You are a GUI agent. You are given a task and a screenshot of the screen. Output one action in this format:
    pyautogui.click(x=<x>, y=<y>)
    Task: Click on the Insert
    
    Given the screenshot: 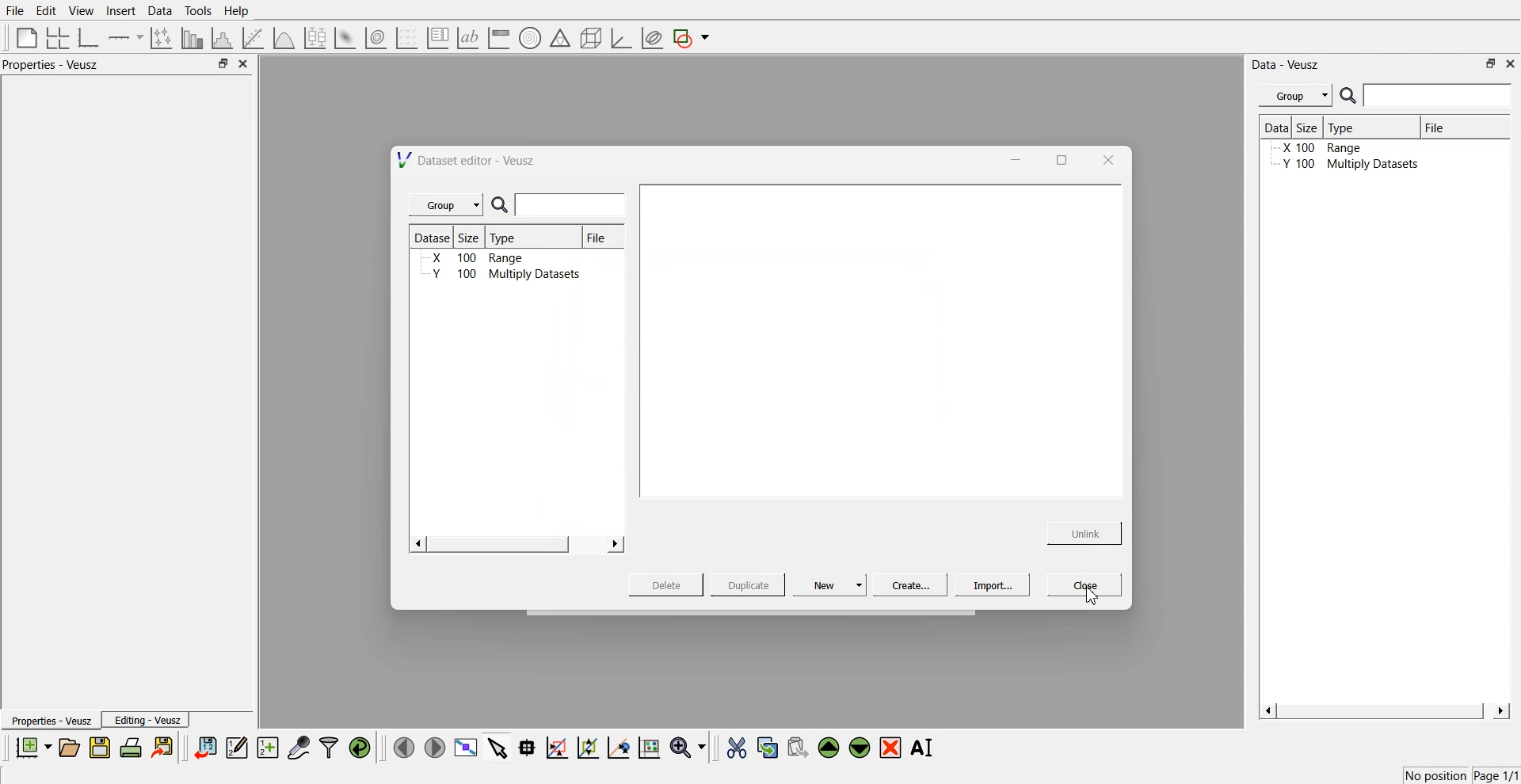 What is the action you would take?
    pyautogui.click(x=119, y=11)
    